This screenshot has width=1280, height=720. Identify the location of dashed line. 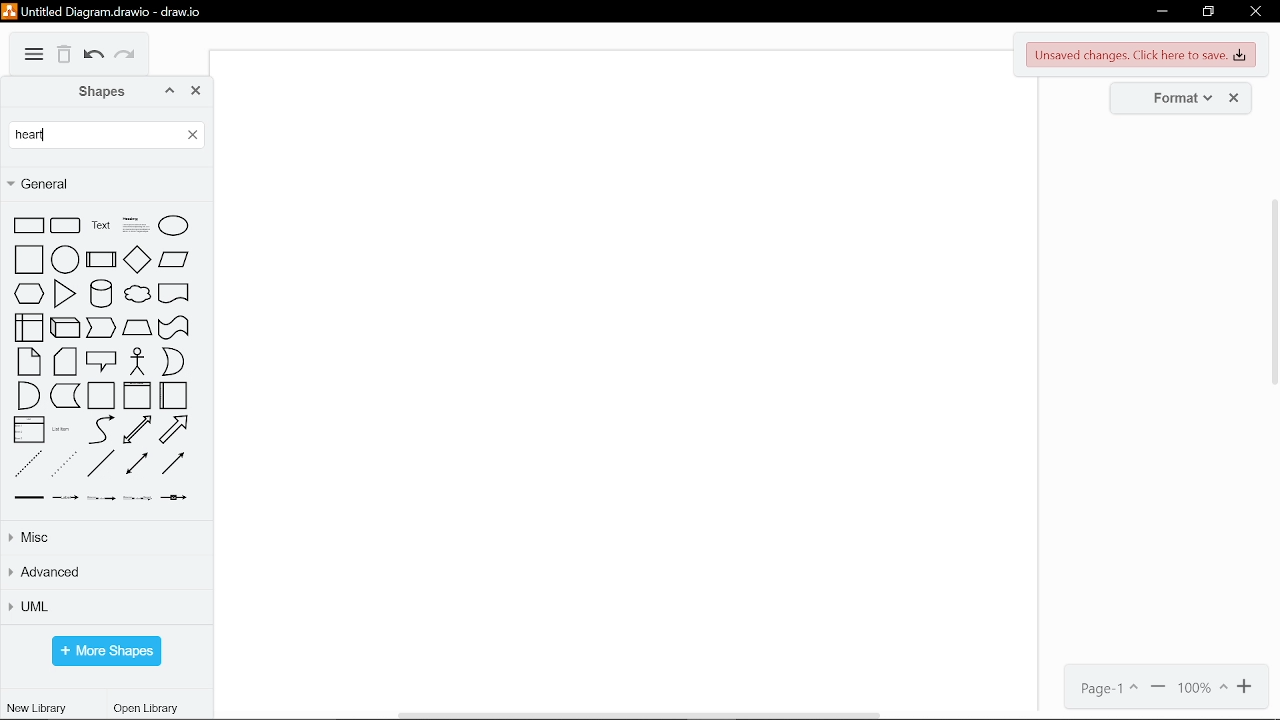
(27, 464).